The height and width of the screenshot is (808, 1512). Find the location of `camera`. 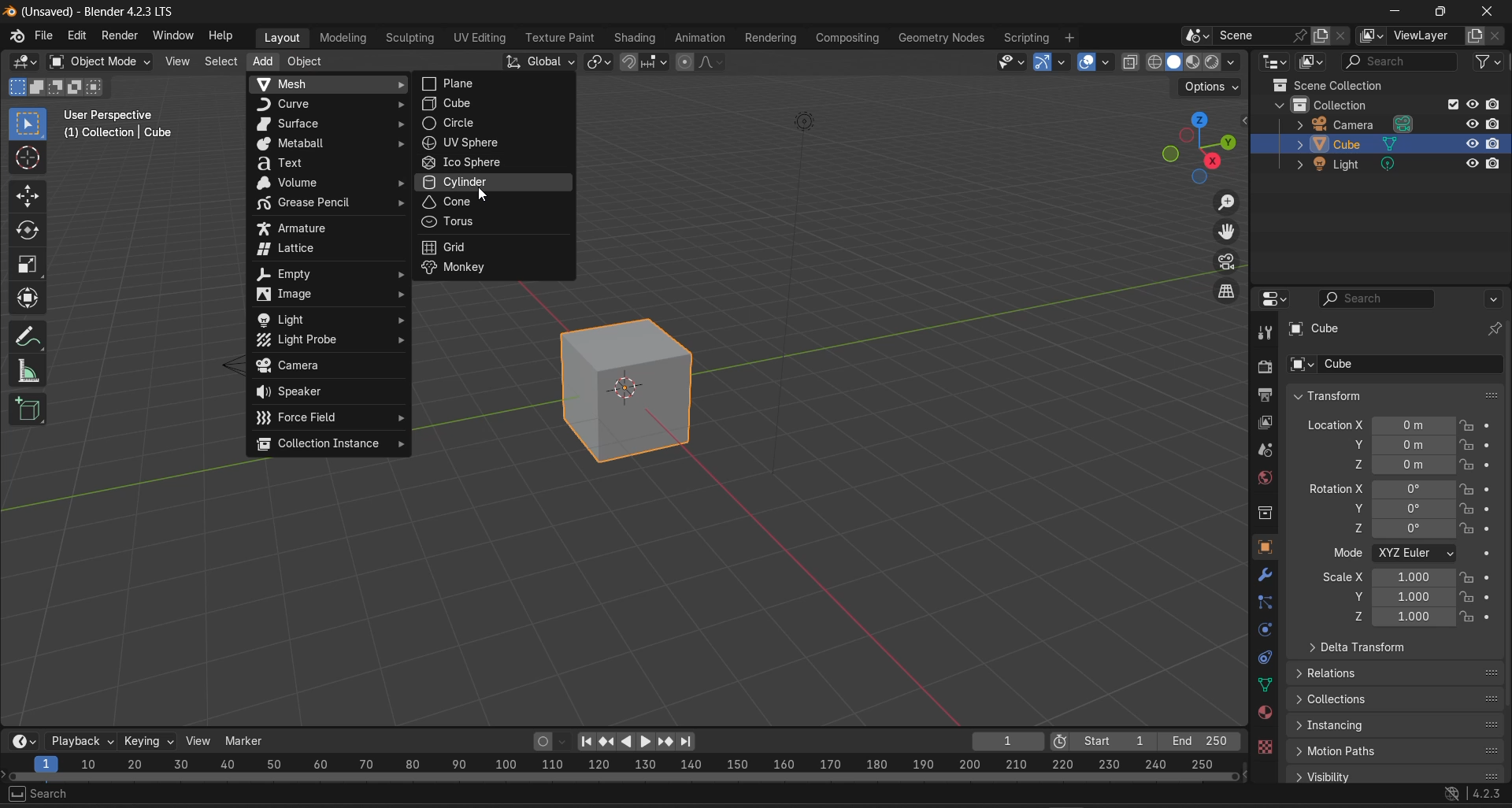

camera is located at coordinates (328, 366).